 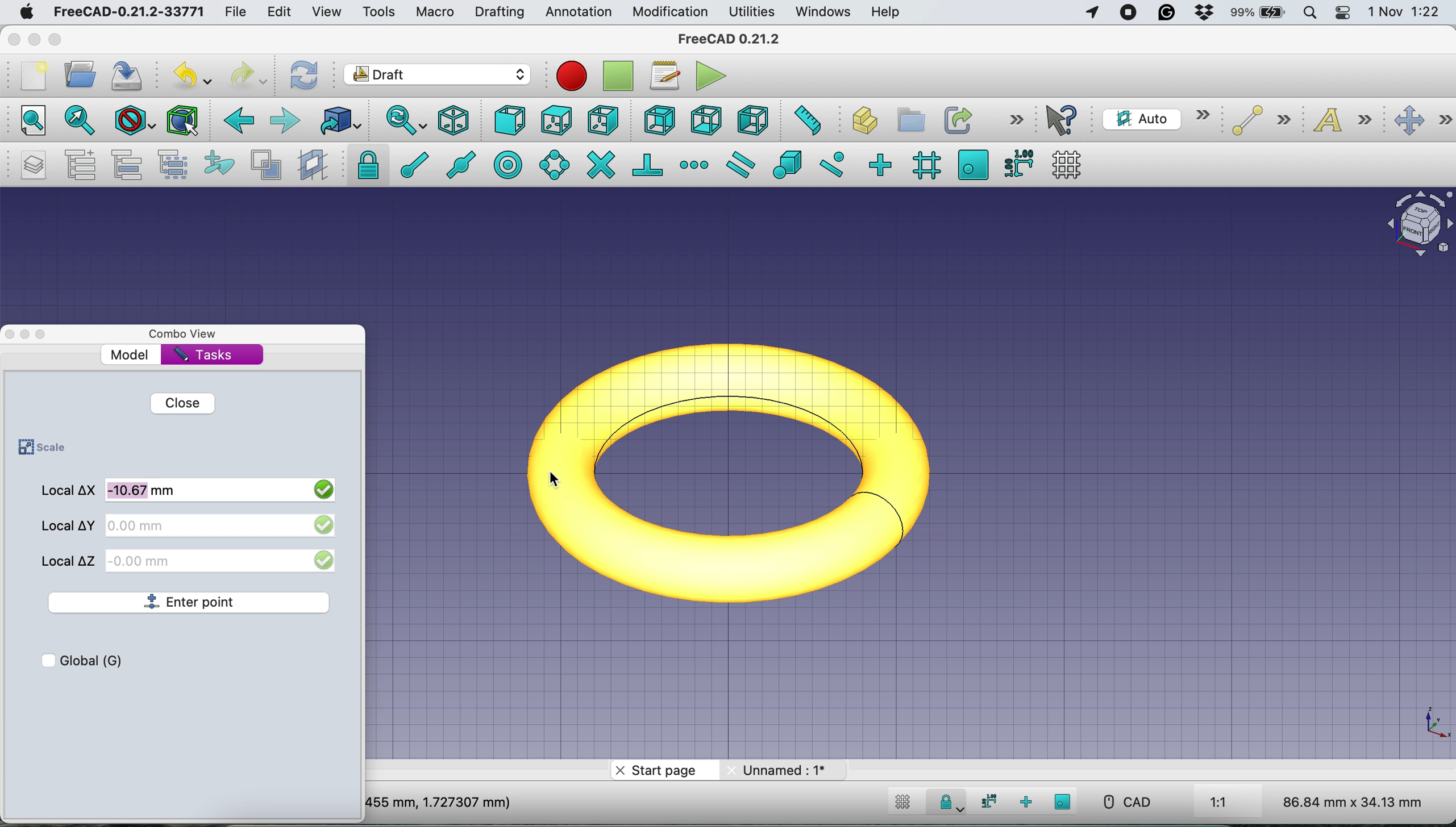 I want to click on snap midpoint, so click(x=464, y=164).